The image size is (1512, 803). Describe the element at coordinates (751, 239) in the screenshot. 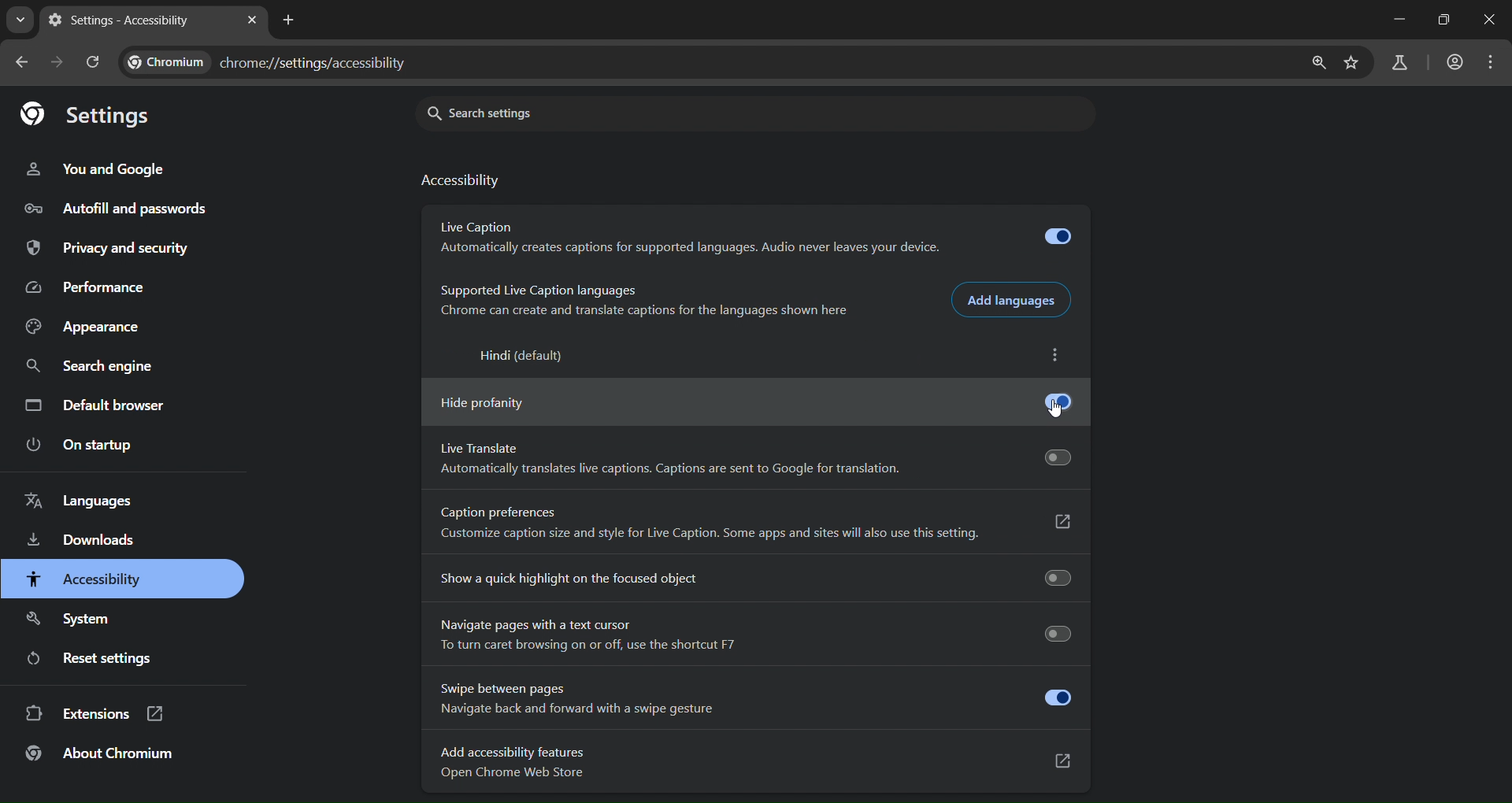

I see `Live Caption
Automatically creates captions for supported languages. Audio never leaves your device.` at that location.